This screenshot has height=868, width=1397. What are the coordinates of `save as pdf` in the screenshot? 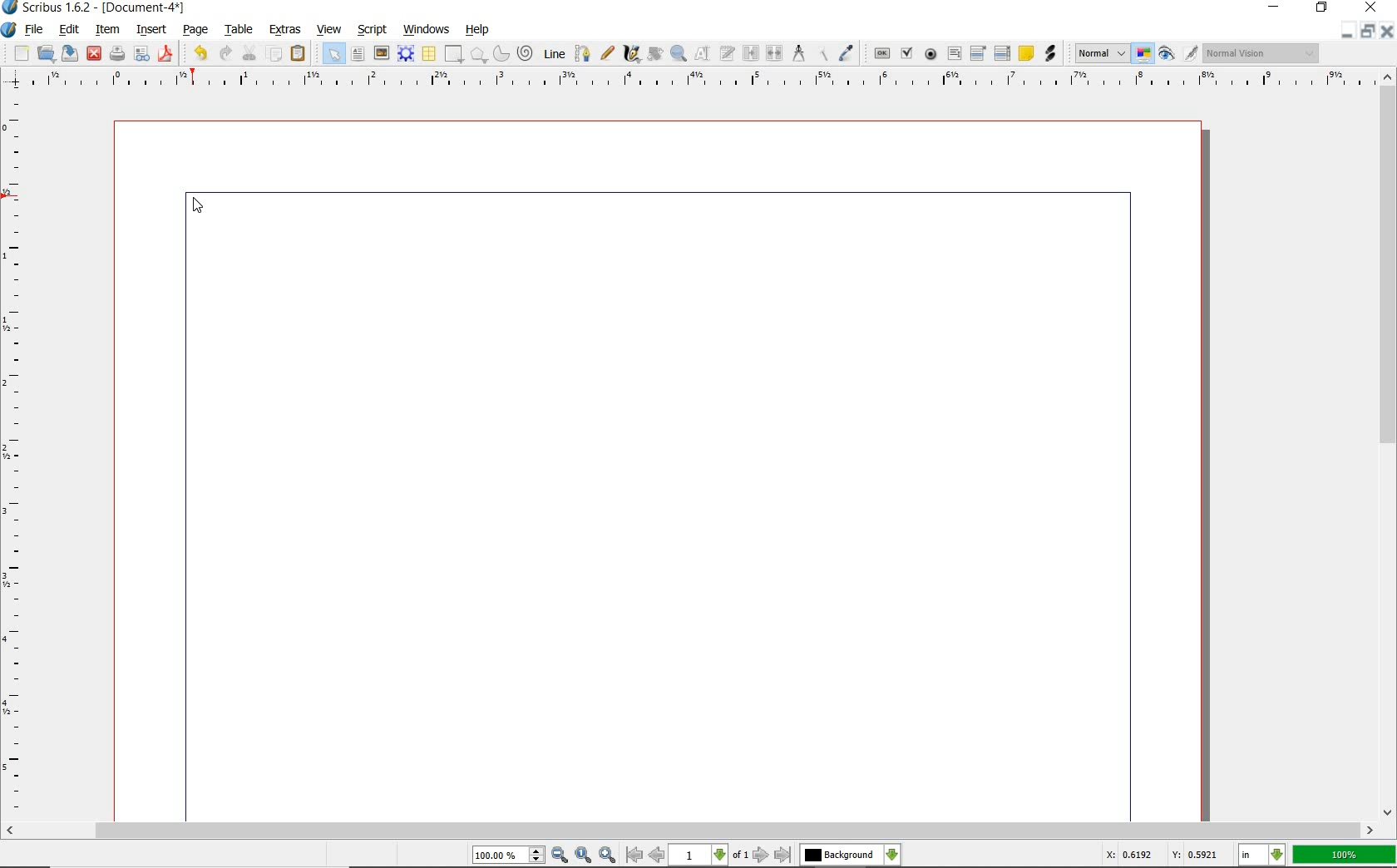 It's located at (166, 53).